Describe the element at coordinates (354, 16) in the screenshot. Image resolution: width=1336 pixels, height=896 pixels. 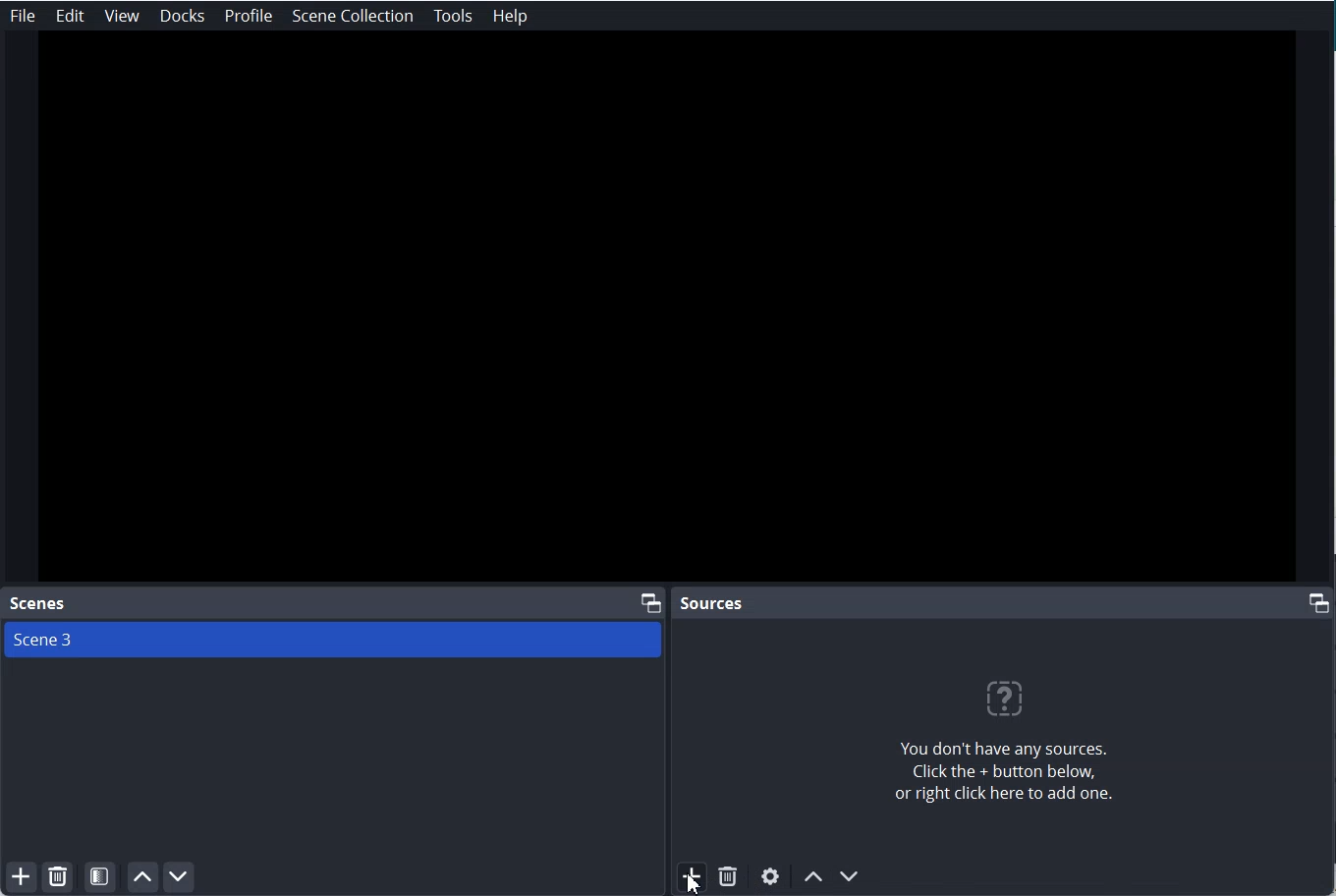
I see `Scene Collection` at that location.